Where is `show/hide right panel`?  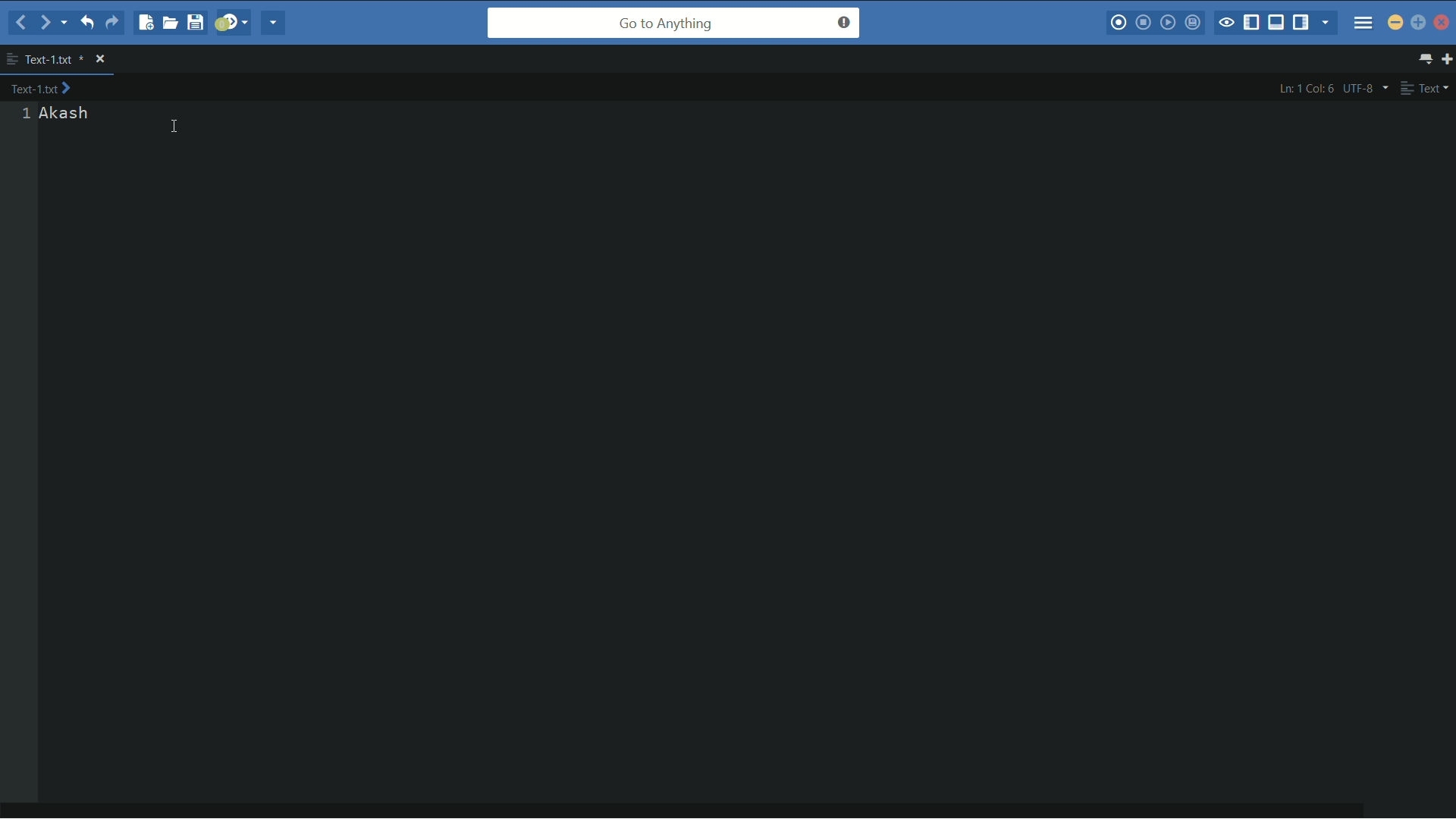 show/hide right panel is located at coordinates (1301, 22).